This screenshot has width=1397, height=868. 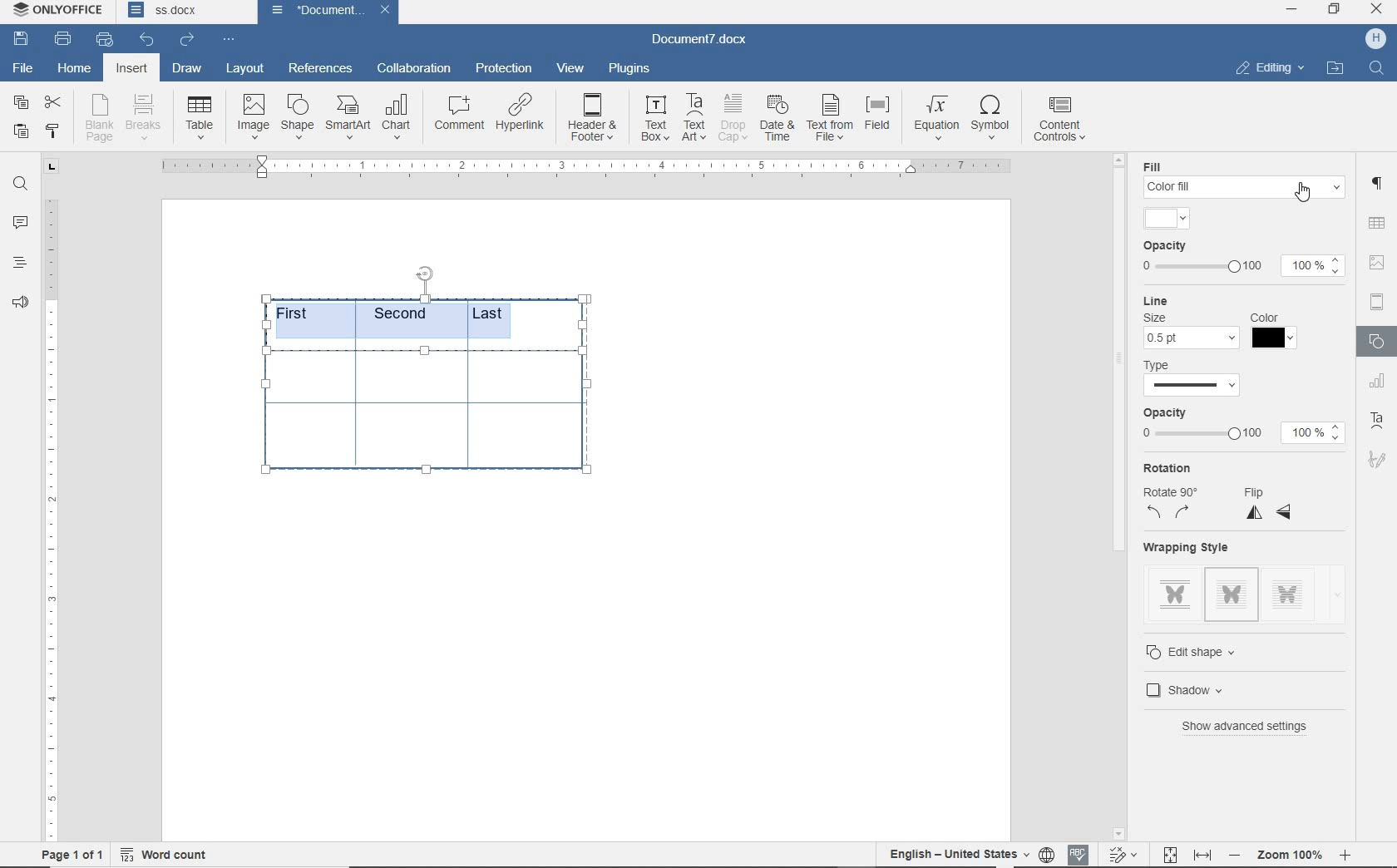 I want to click on layout, so click(x=248, y=68).